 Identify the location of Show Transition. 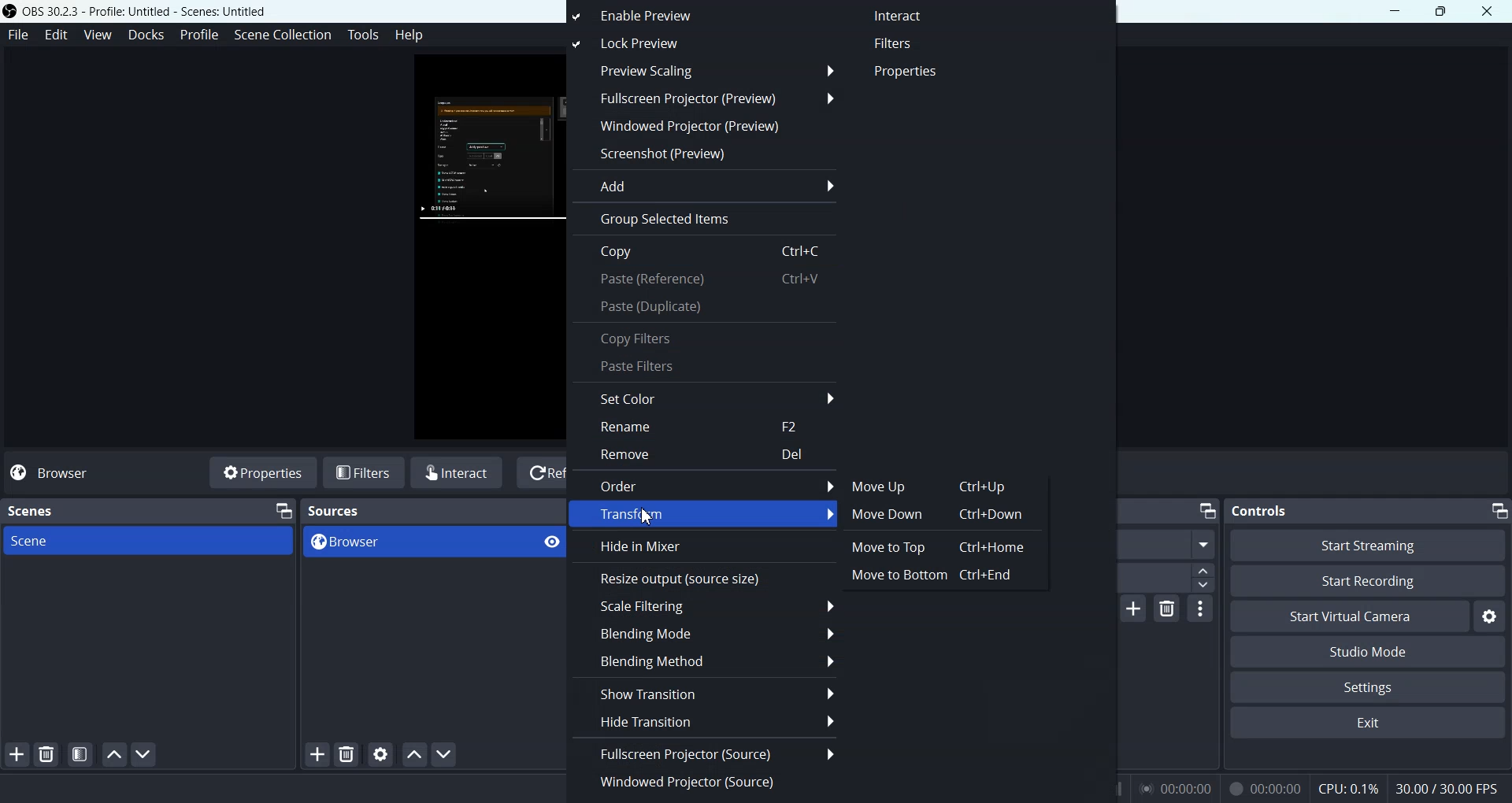
(703, 692).